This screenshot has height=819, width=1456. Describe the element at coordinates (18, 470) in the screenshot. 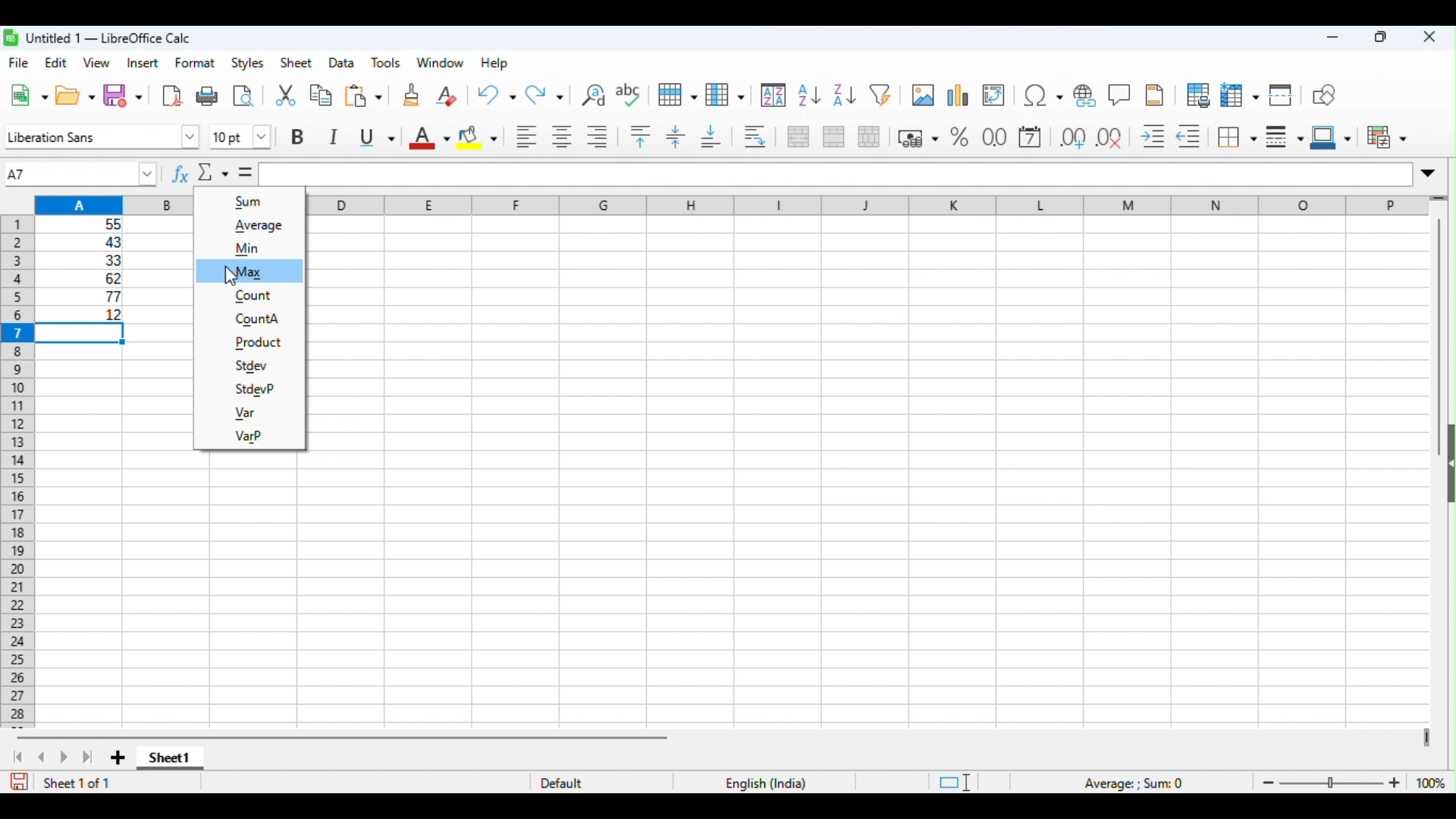

I see `row numbers` at that location.